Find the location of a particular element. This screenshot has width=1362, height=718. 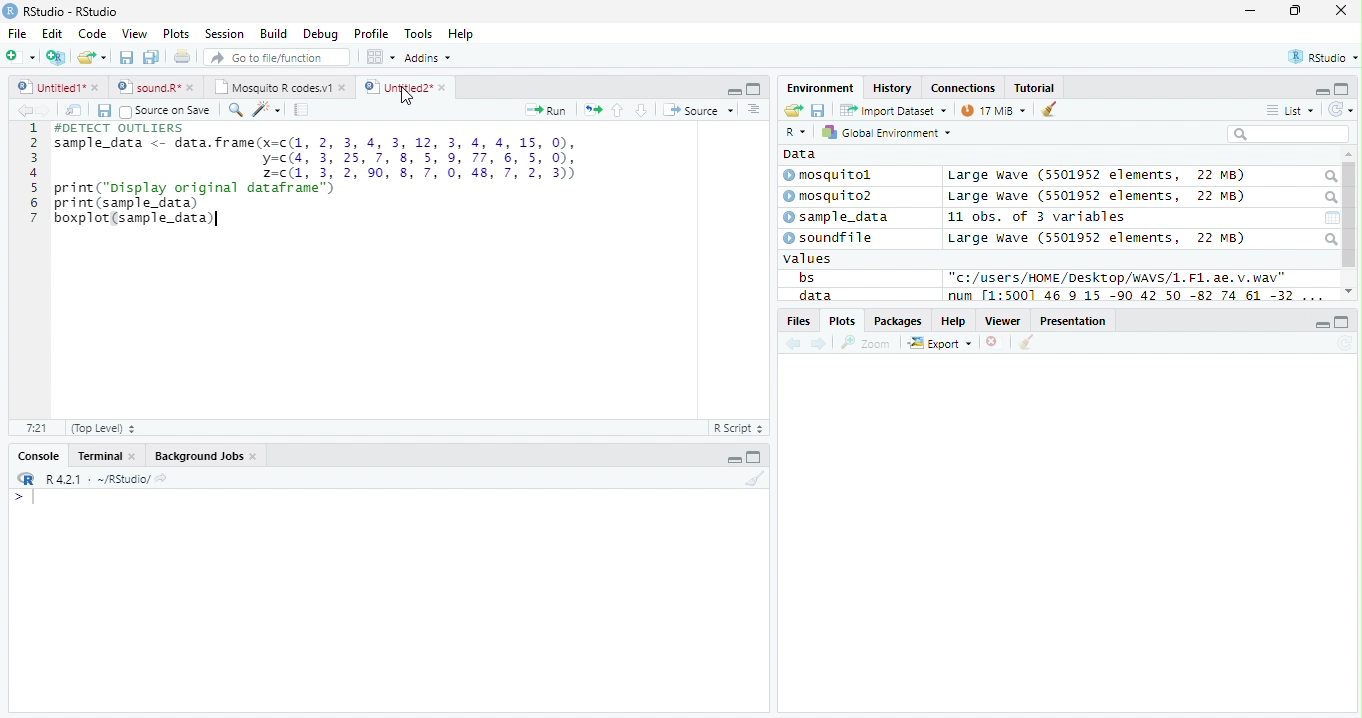

Console is located at coordinates (35, 455).